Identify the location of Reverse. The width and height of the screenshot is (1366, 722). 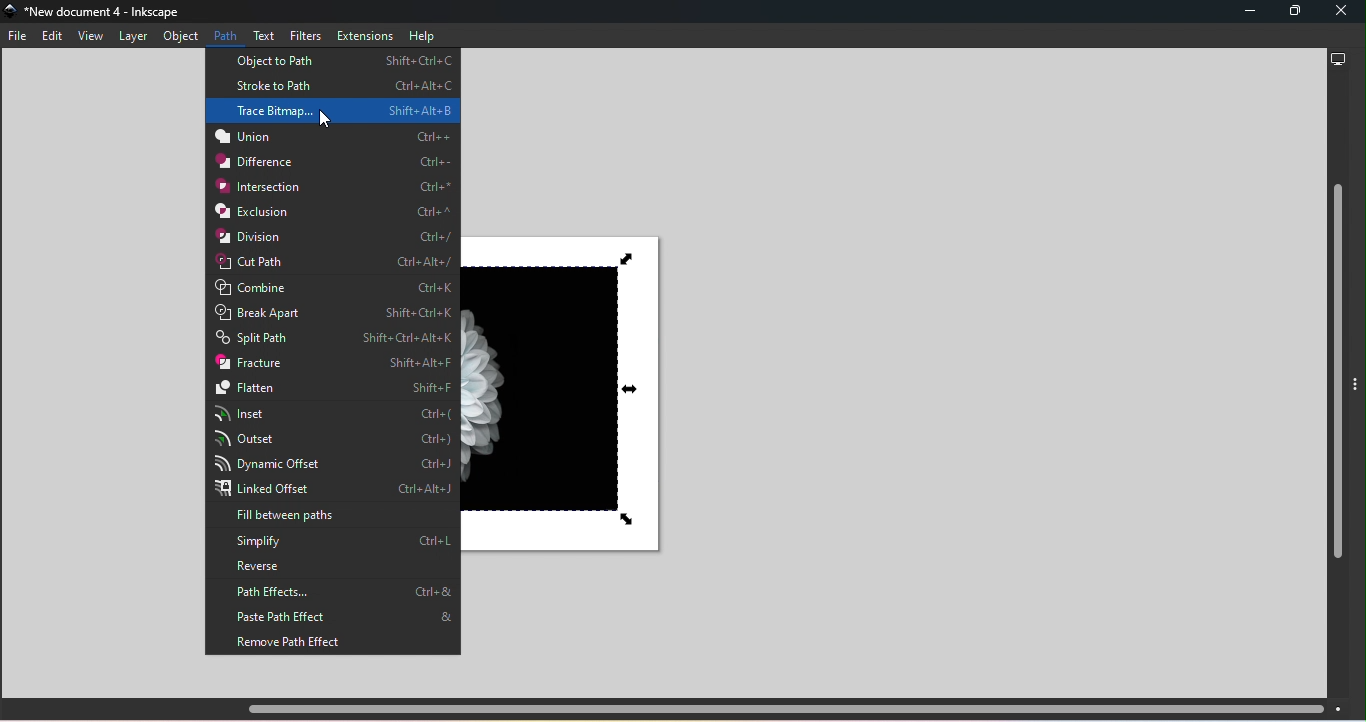
(341, 566).